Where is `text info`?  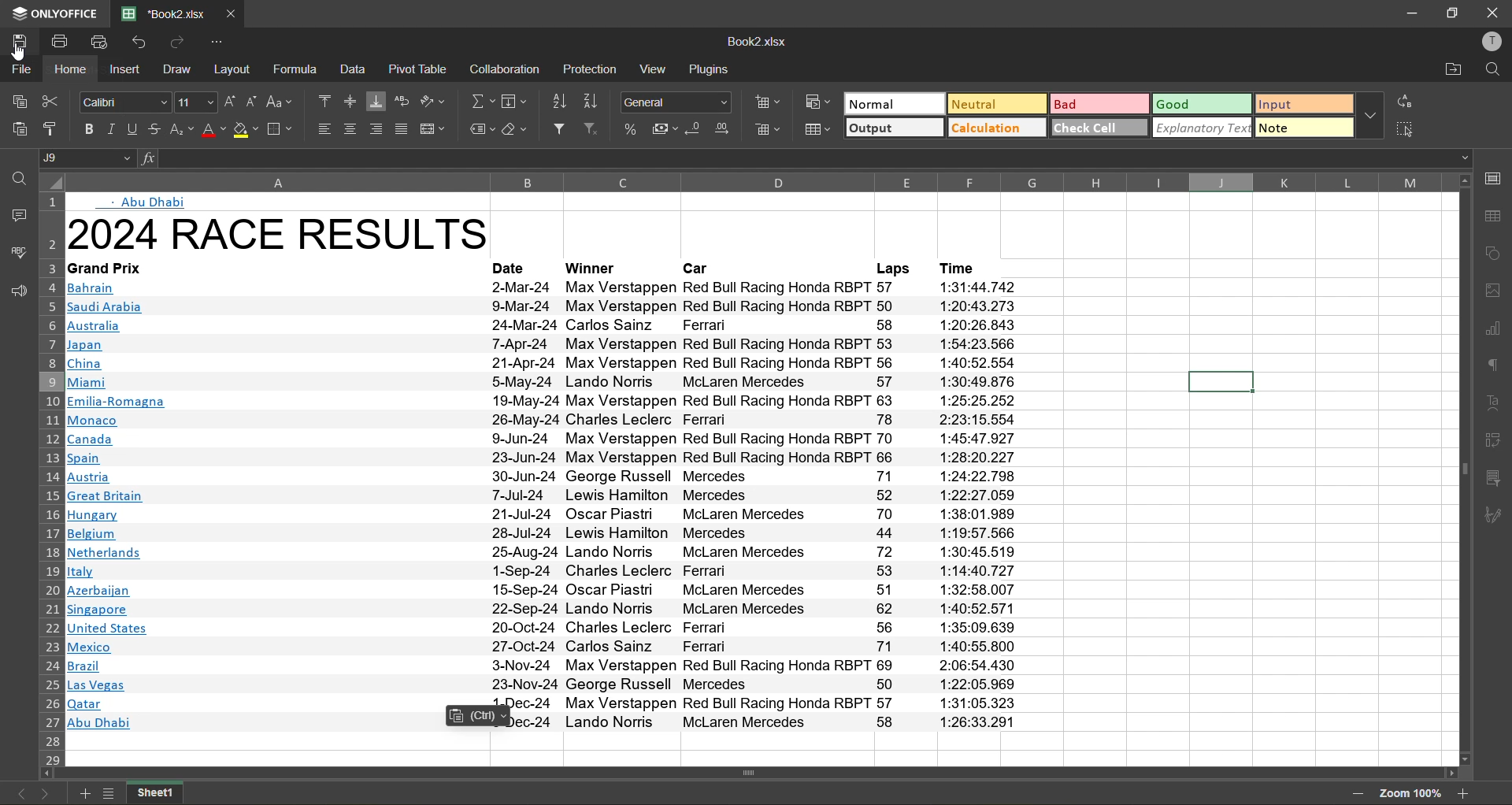
text info is located at coordinates (547, 363).